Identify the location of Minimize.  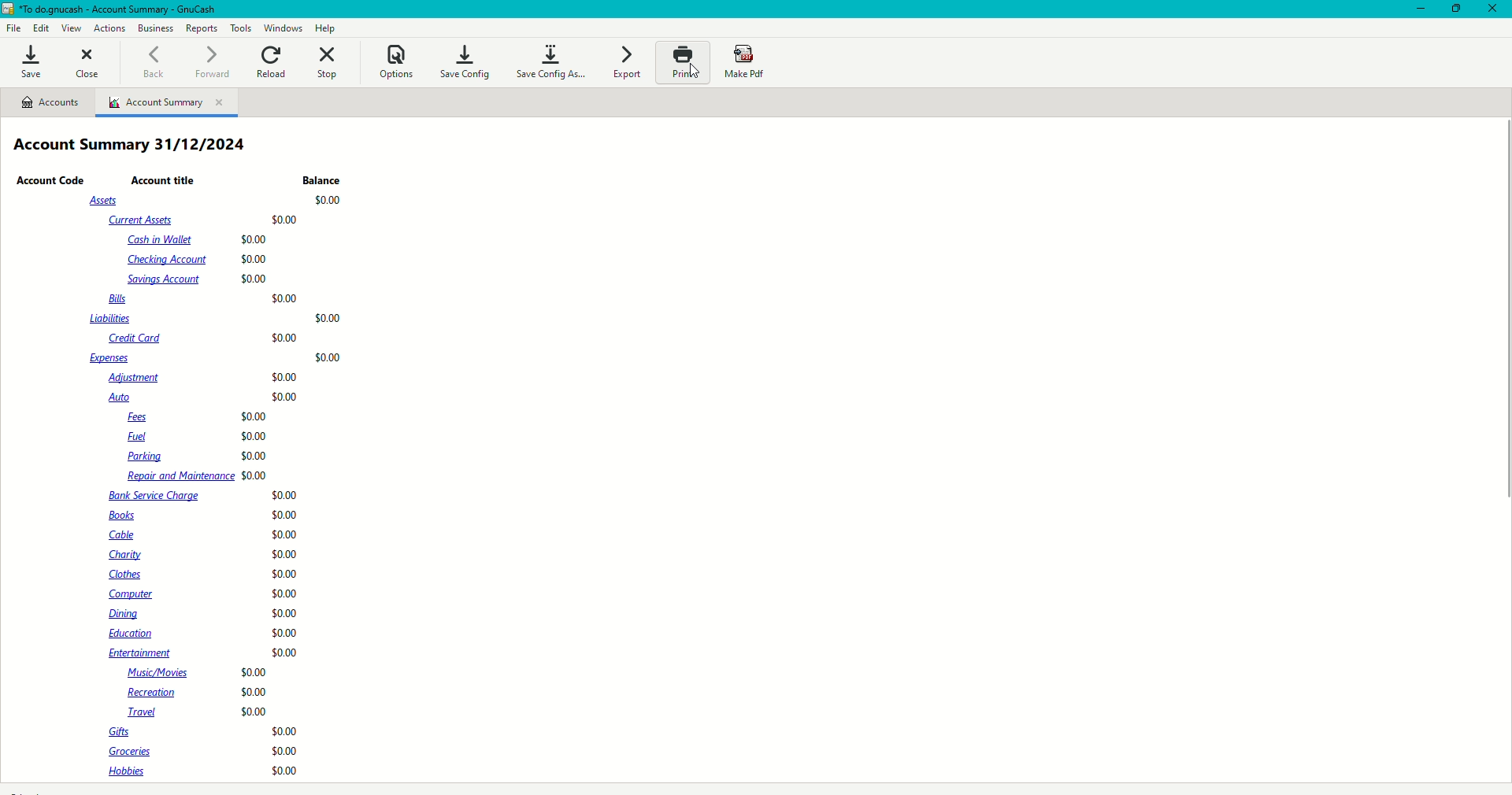
(1417, 10).